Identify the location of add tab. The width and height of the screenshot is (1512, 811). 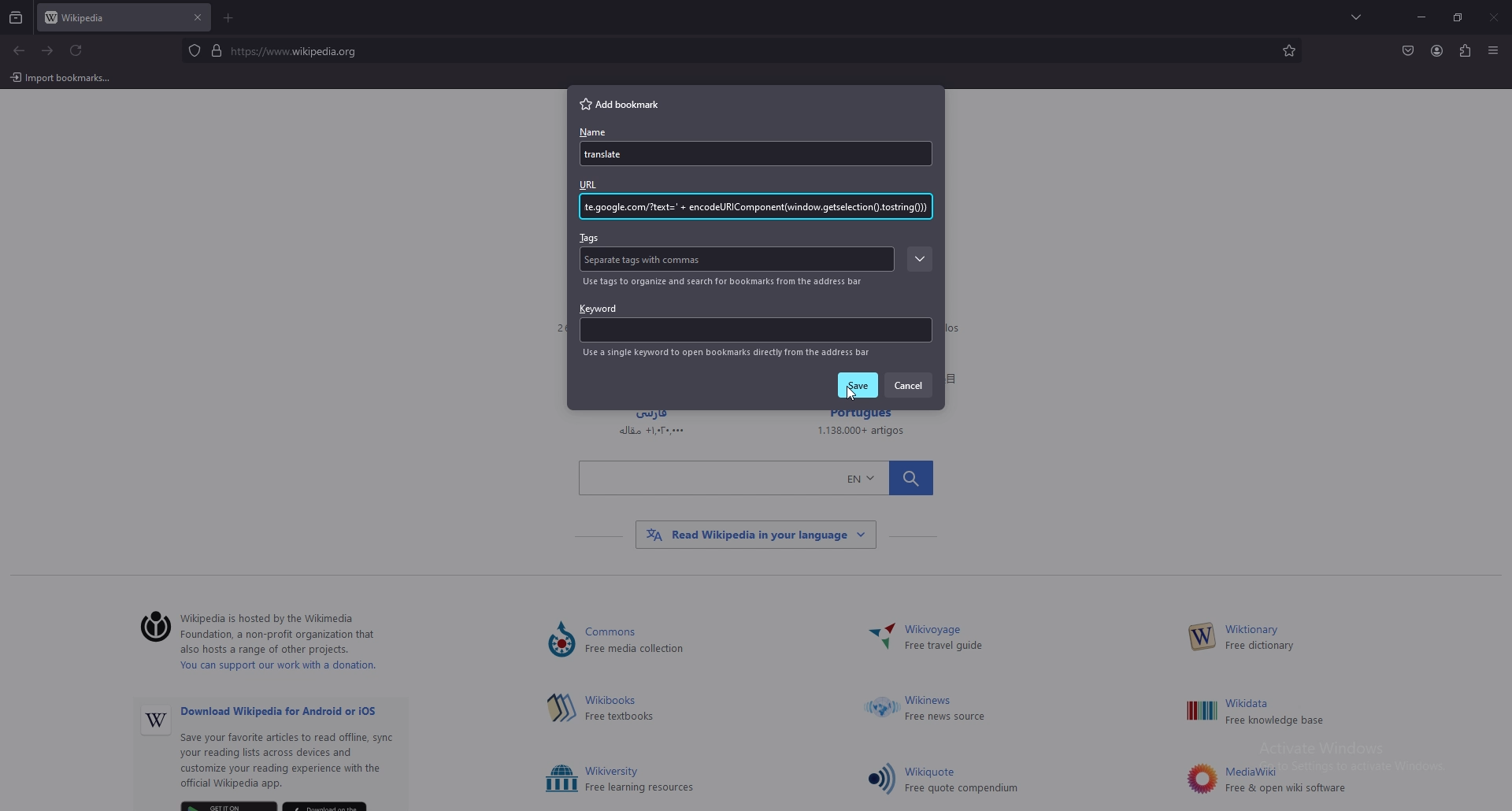
(230, 18).